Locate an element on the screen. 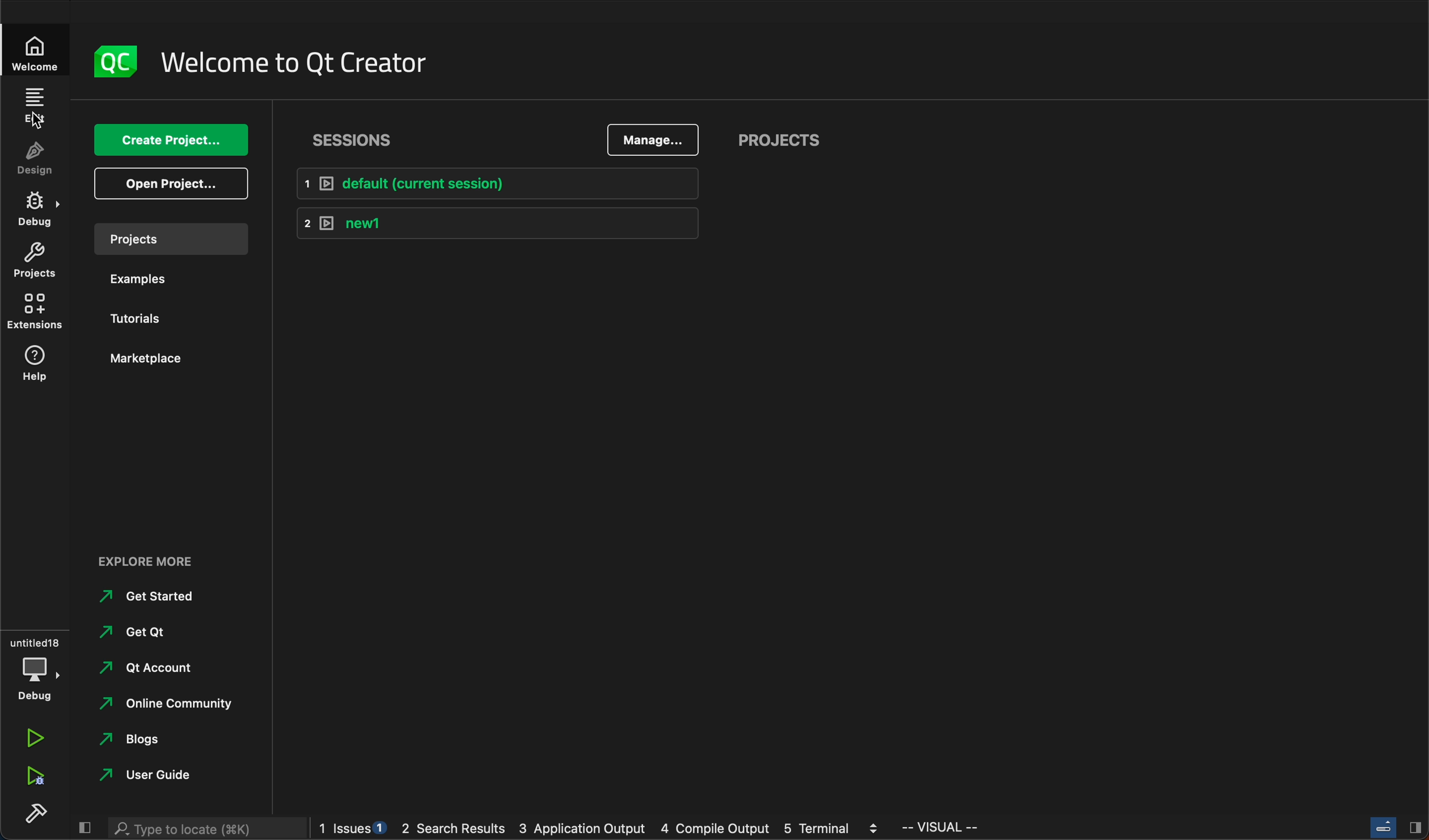  terminal is located at coordinates (827, 826).